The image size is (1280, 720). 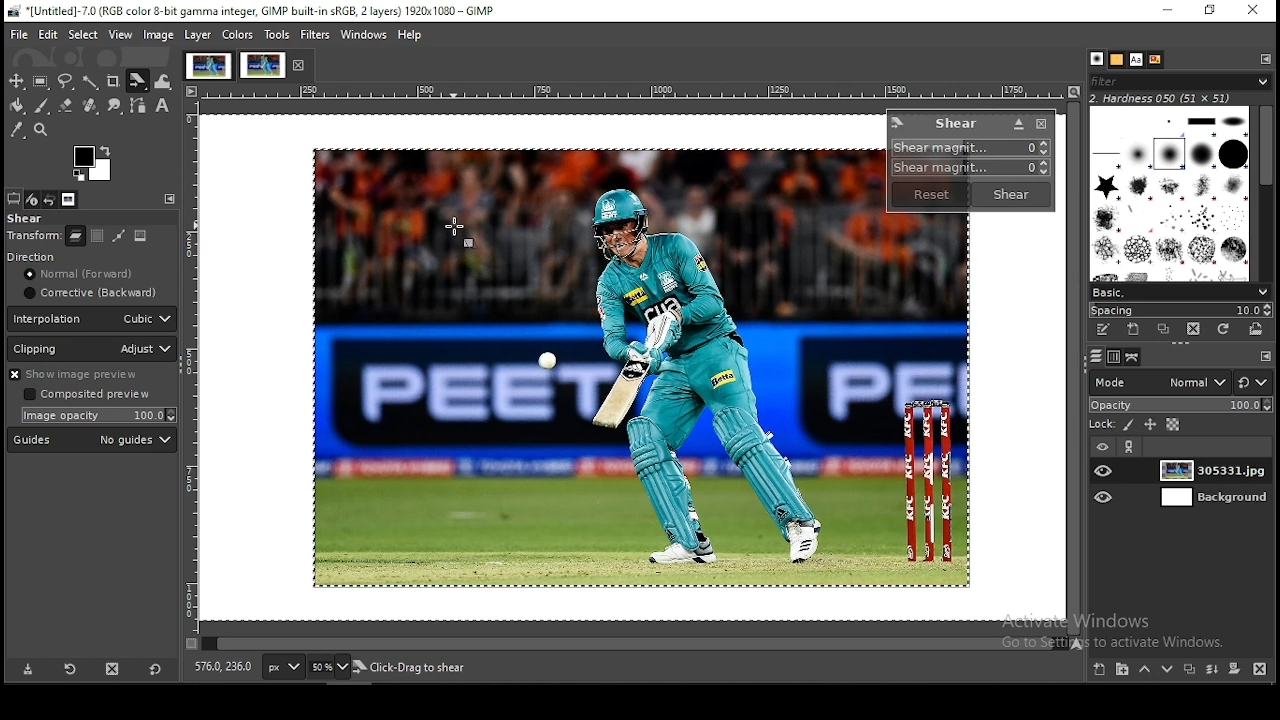 I want to click on interpolation , so click(x=92, y=319).